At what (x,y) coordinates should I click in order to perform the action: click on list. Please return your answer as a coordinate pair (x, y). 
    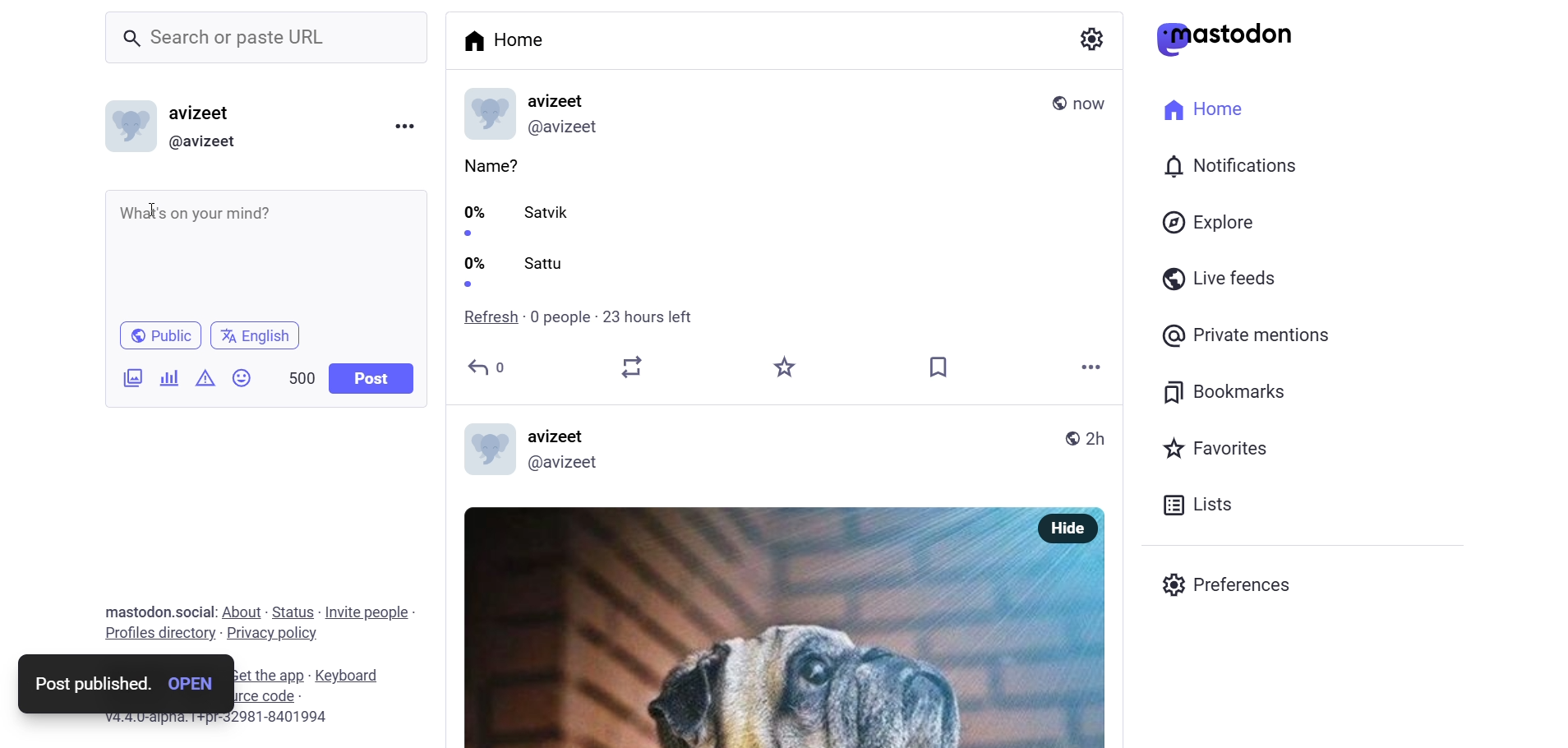
    Looking at the image, I should click on (1193, 505).